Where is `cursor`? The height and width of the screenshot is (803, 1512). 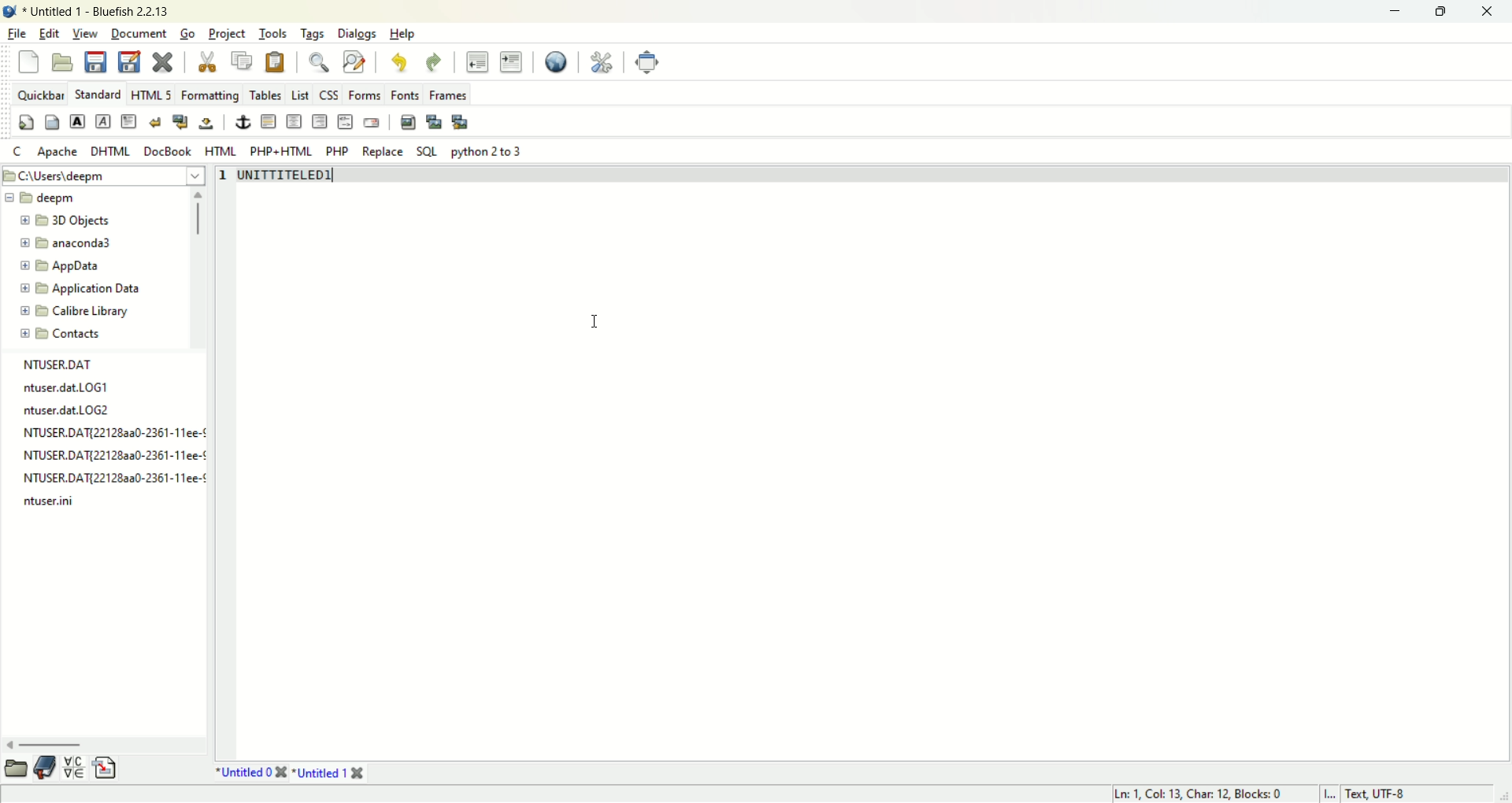
cursor is located at coordinates (594, 321).